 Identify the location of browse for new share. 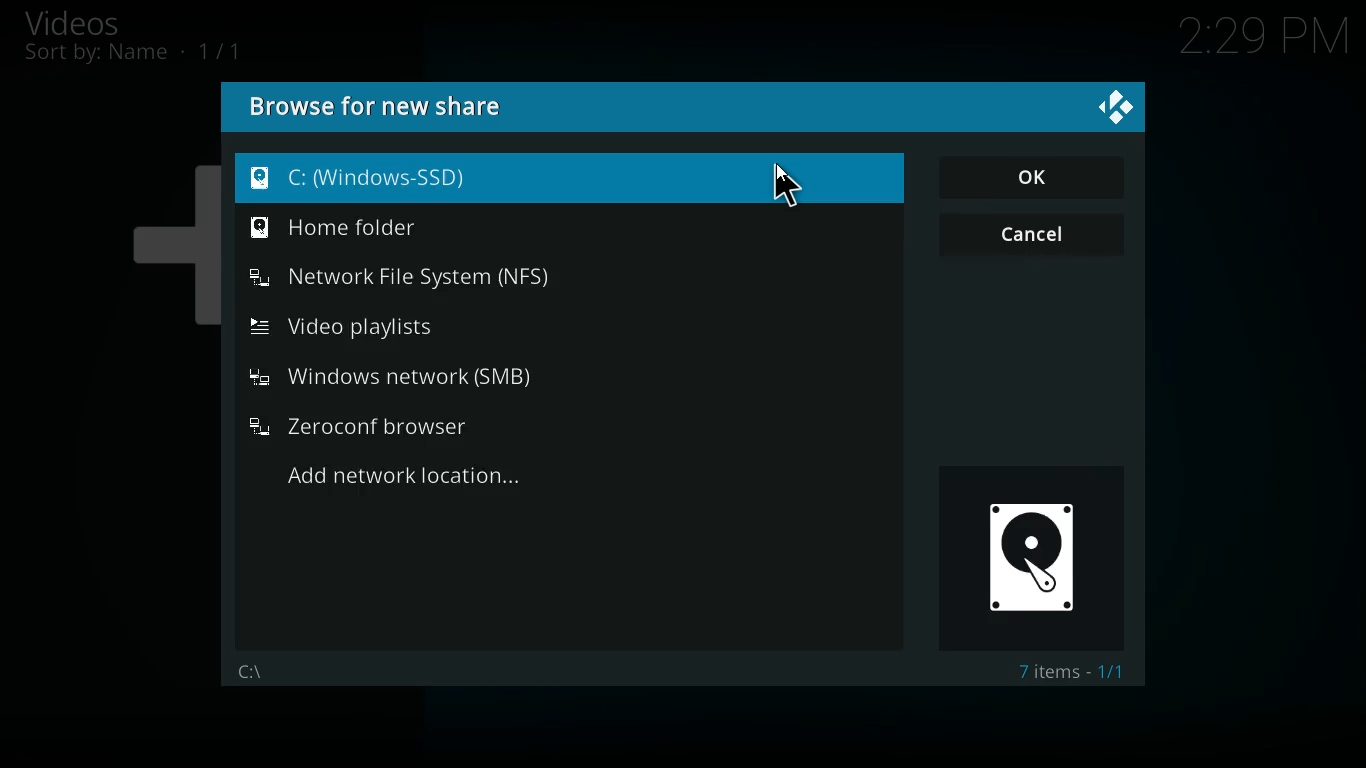
(377, 108).